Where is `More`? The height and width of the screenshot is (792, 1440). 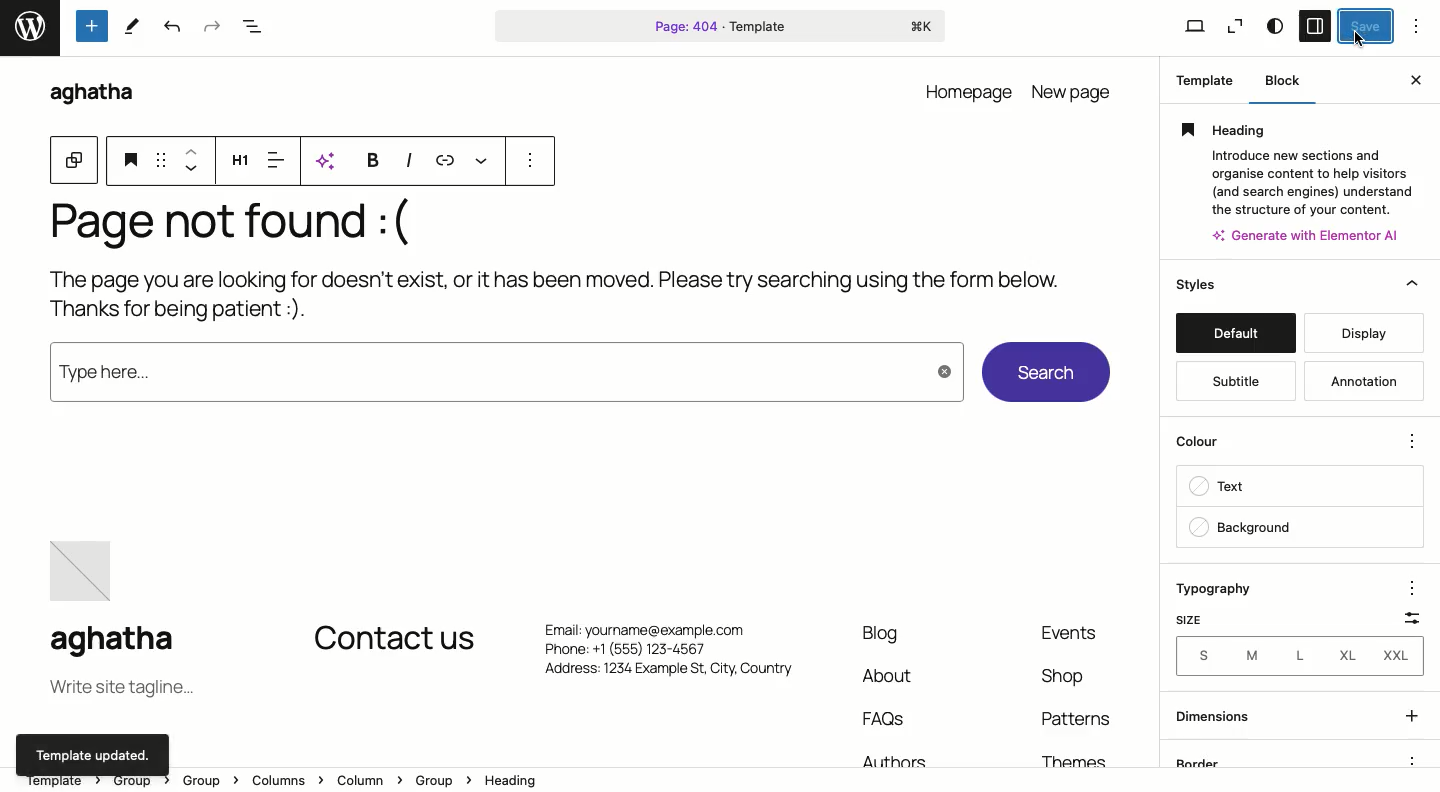
More is located at coordinates (488, 161).